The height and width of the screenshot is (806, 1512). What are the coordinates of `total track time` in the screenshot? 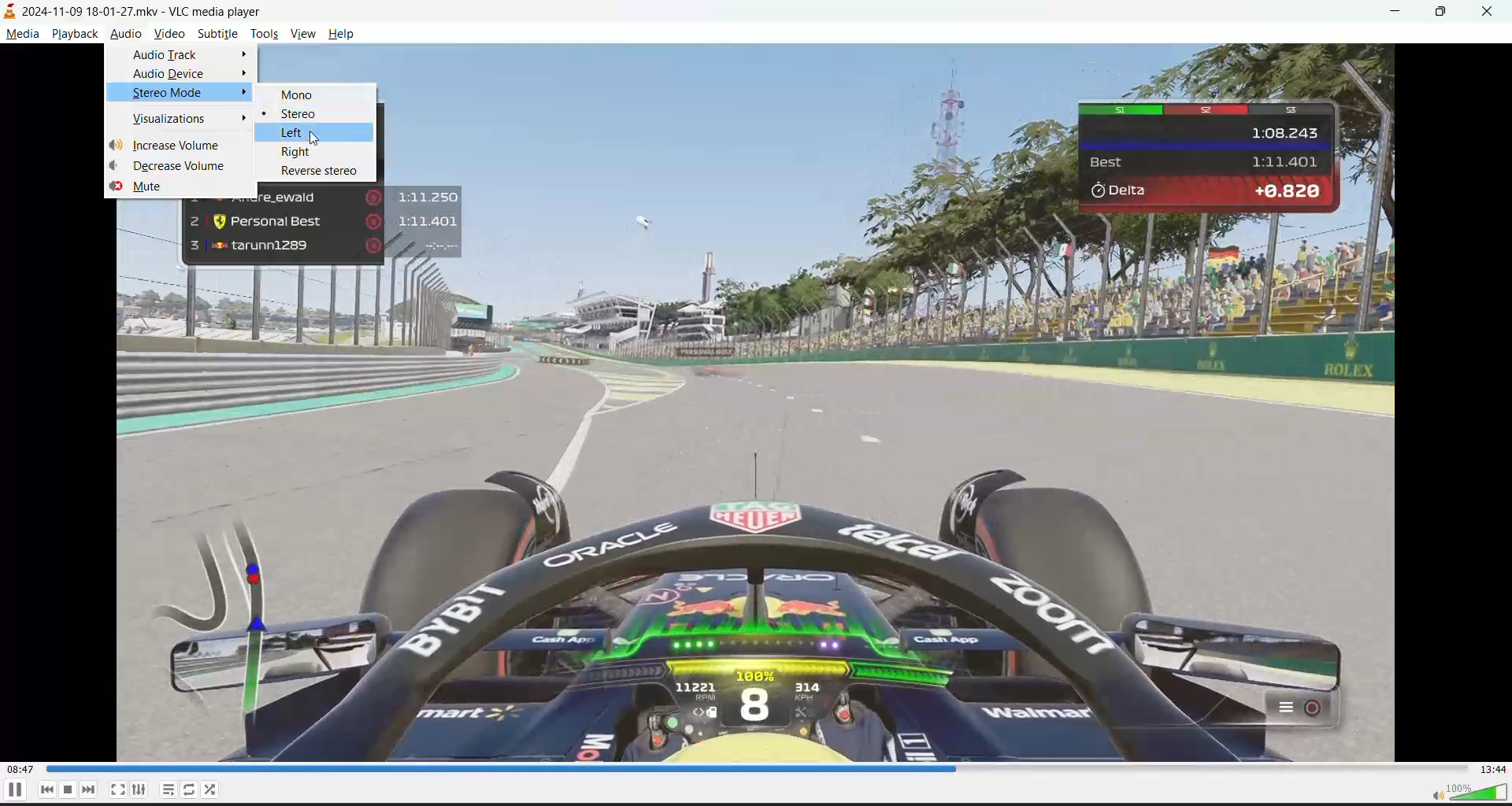 It's located at (1493, 767).